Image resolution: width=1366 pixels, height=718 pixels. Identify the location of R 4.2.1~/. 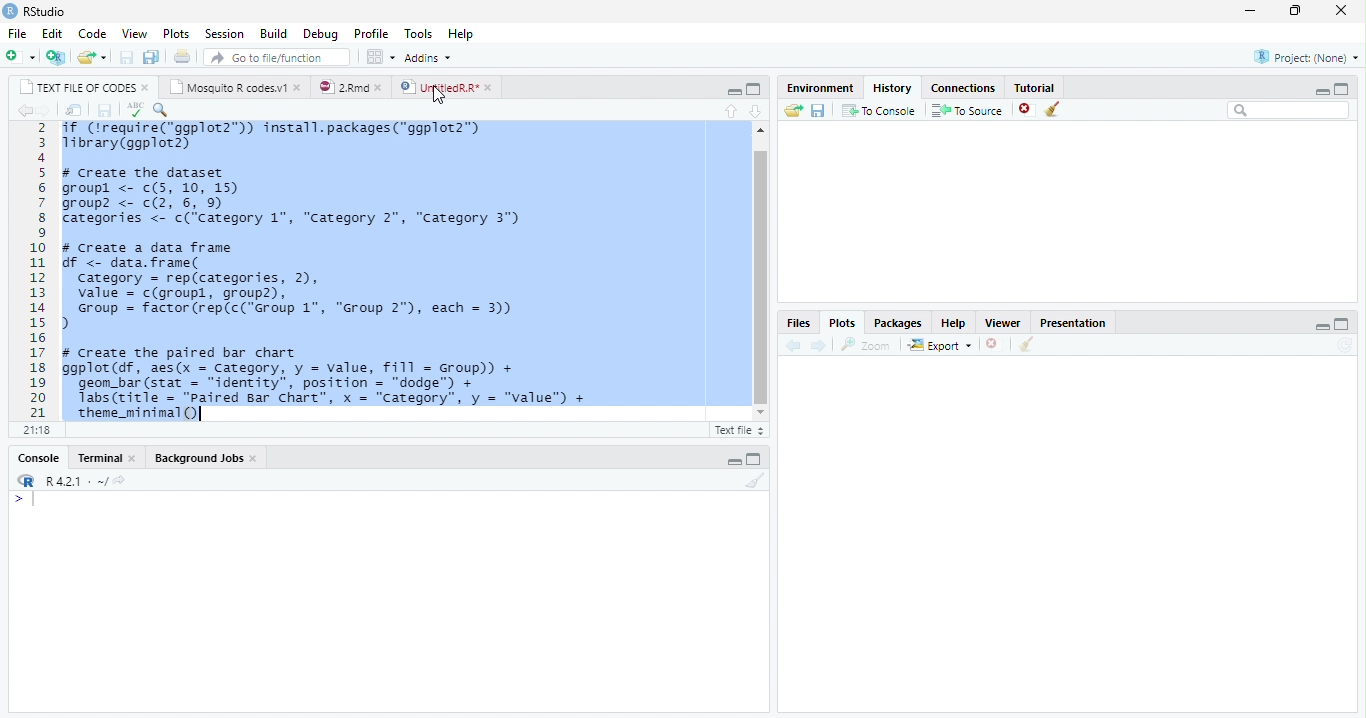
(75, 481).